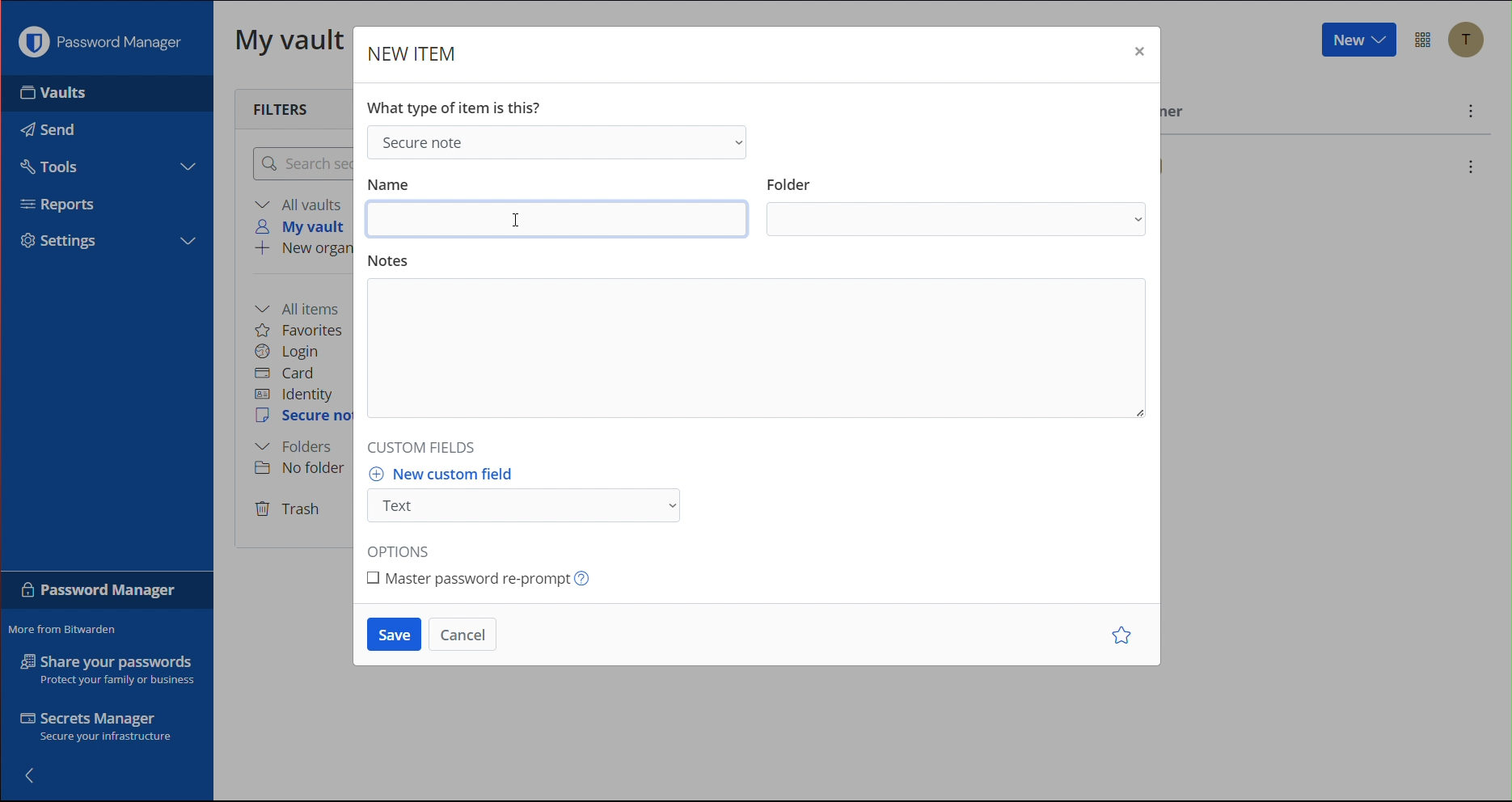  What do you see at coordinates (289, 510) in the screenshot?
I see `Trash` at bounding box center [289, 510].